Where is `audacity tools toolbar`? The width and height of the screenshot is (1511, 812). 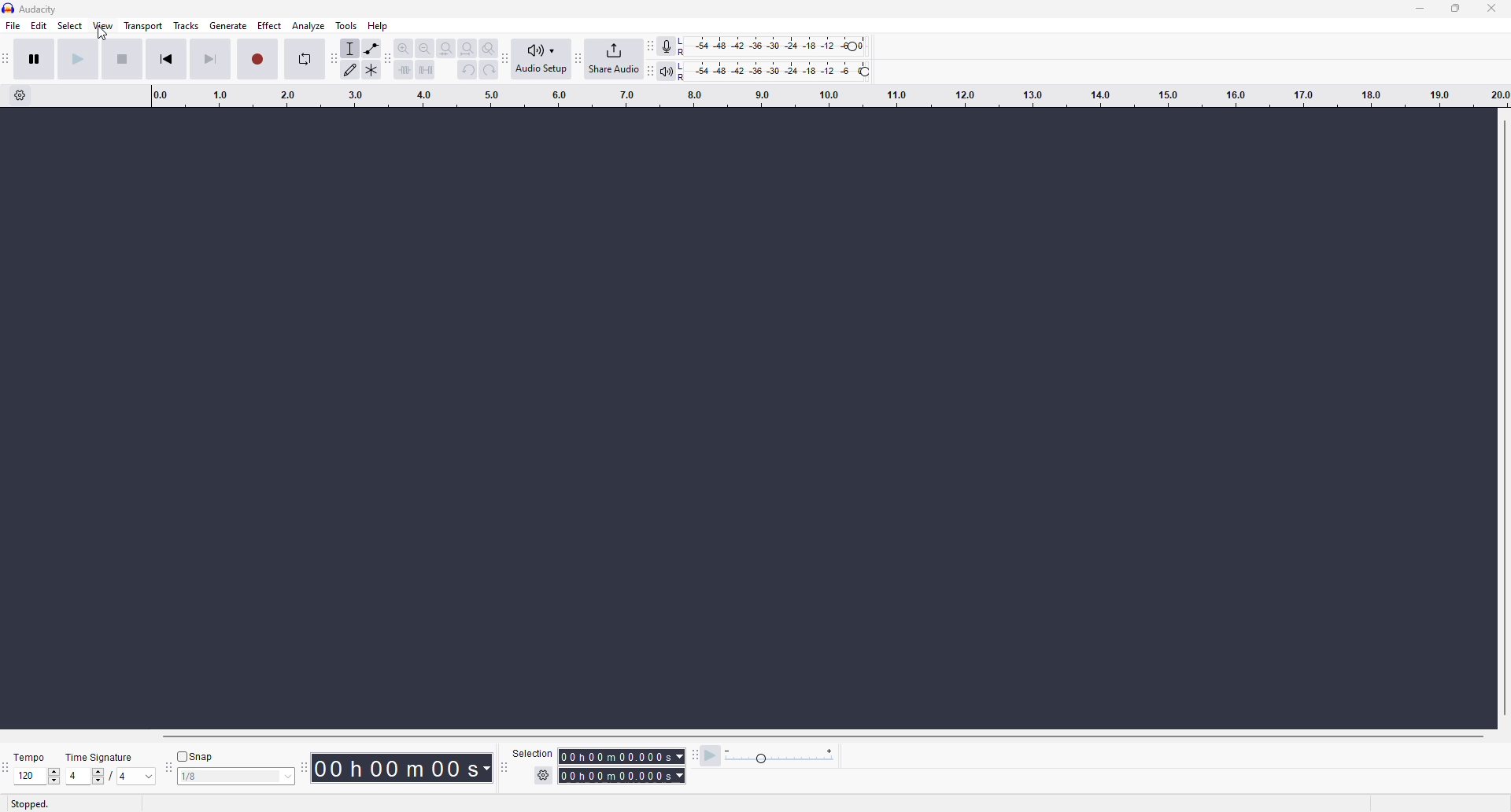
audacity tools toolbar is located at coordinates (333, 58).